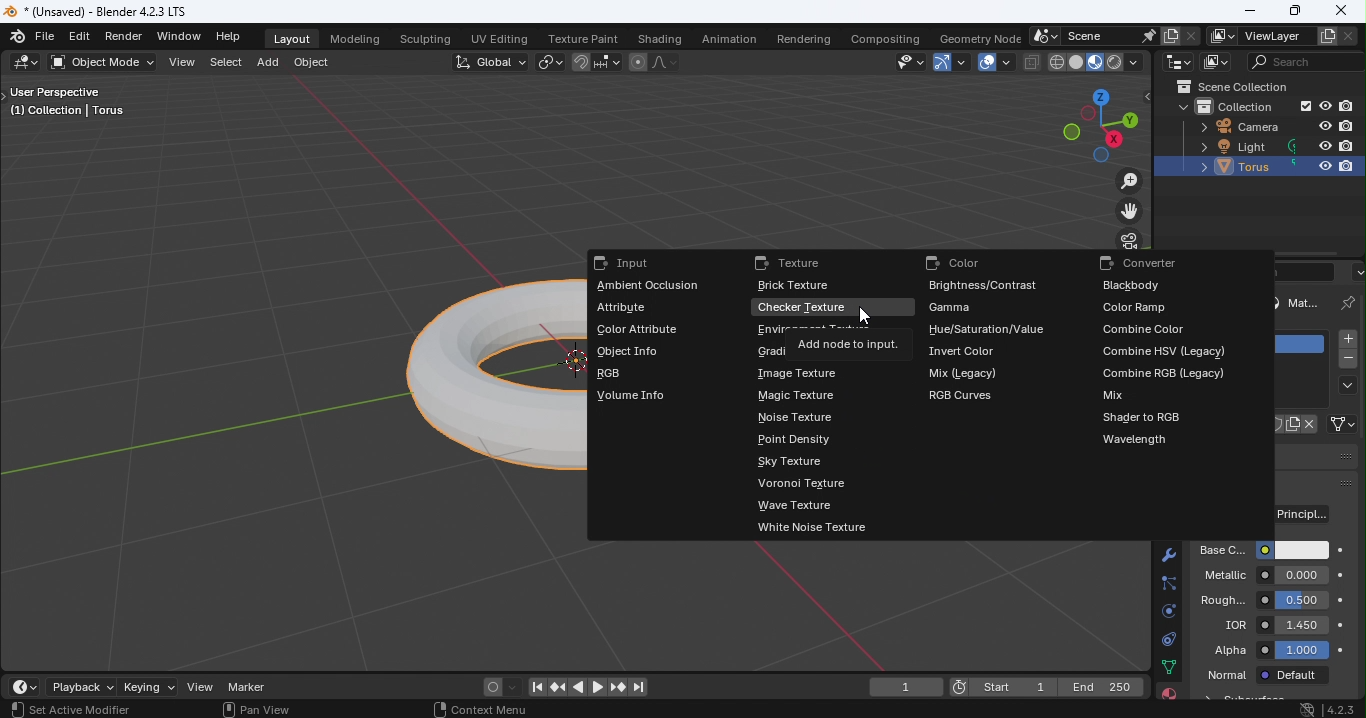  Describe the element at coordinates (1248, 12) in the screenshot. I see `Minimize` at that location.